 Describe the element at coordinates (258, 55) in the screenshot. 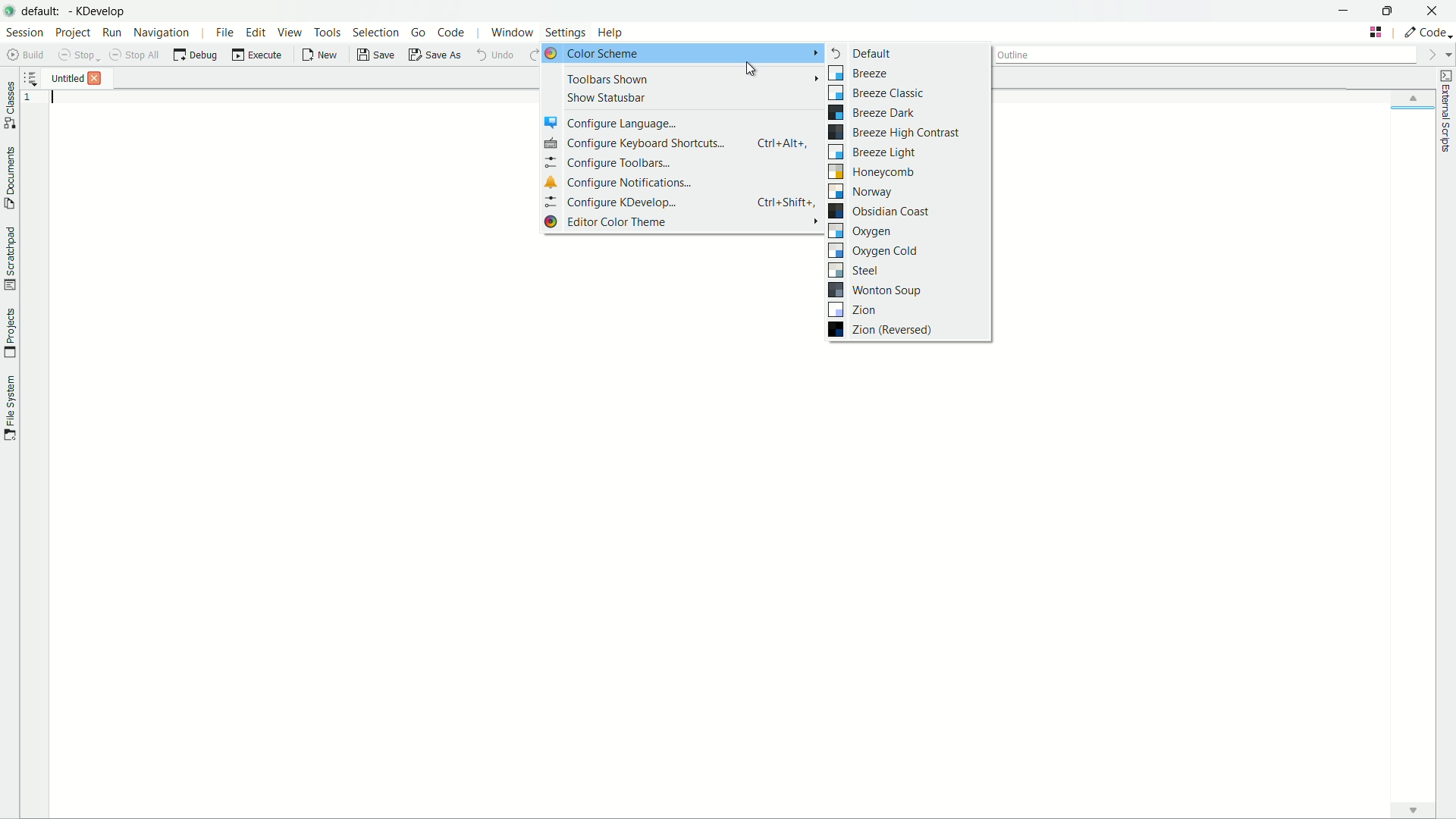

I see `execute` at that location.